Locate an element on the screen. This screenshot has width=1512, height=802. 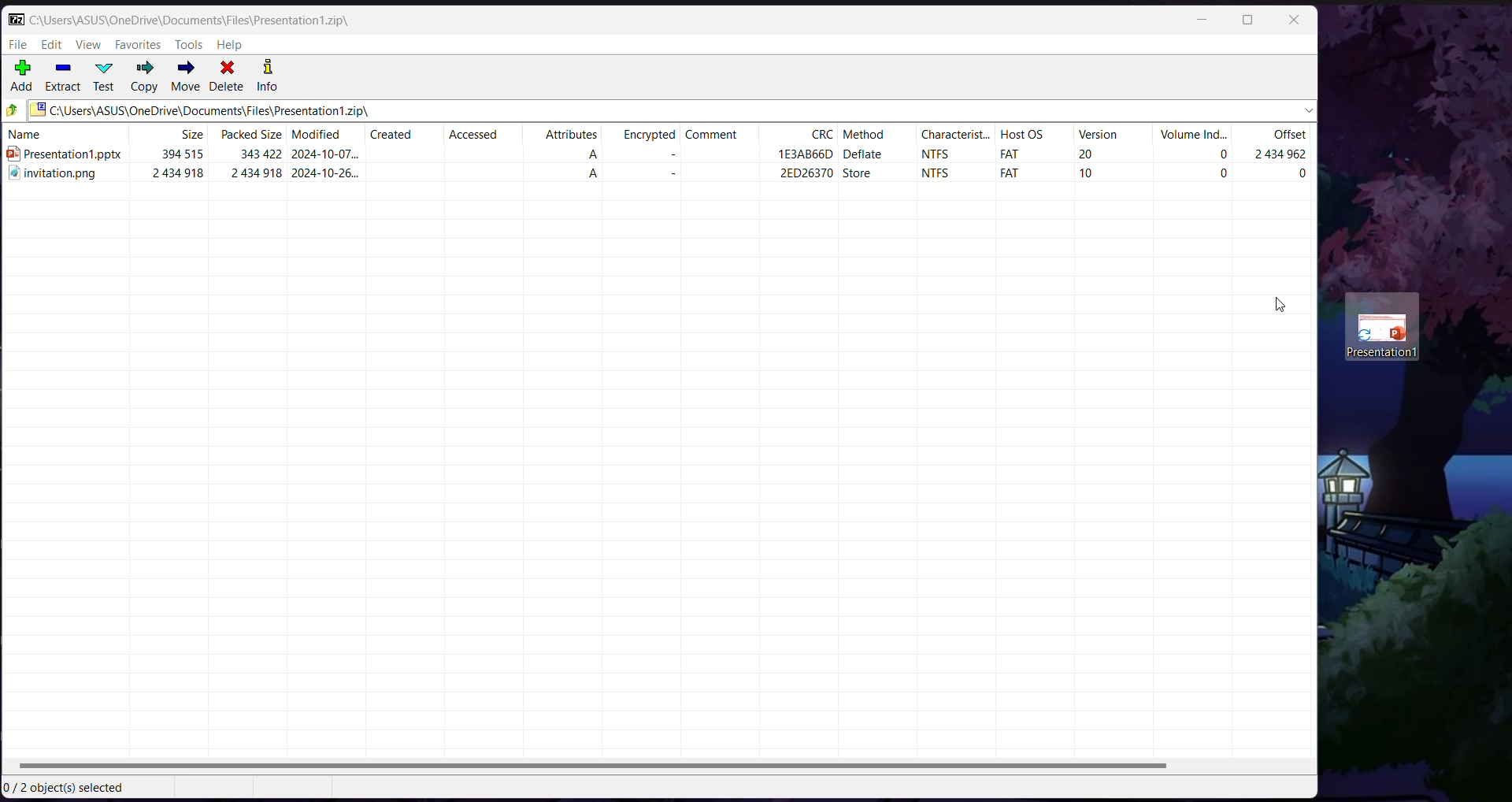
Accessed is located at coordinates (473, 136).